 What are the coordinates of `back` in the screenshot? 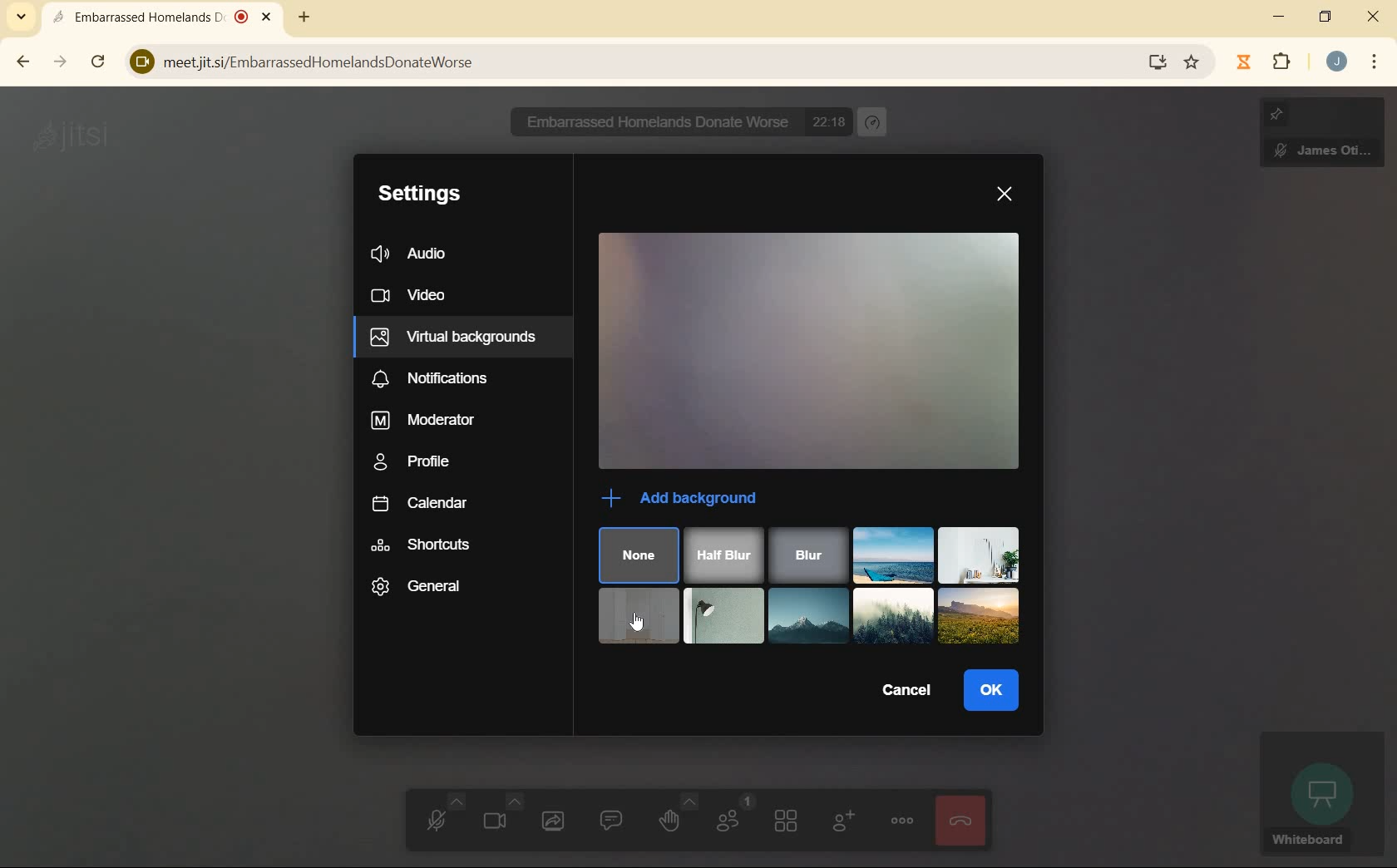 It's located at (24, 62).